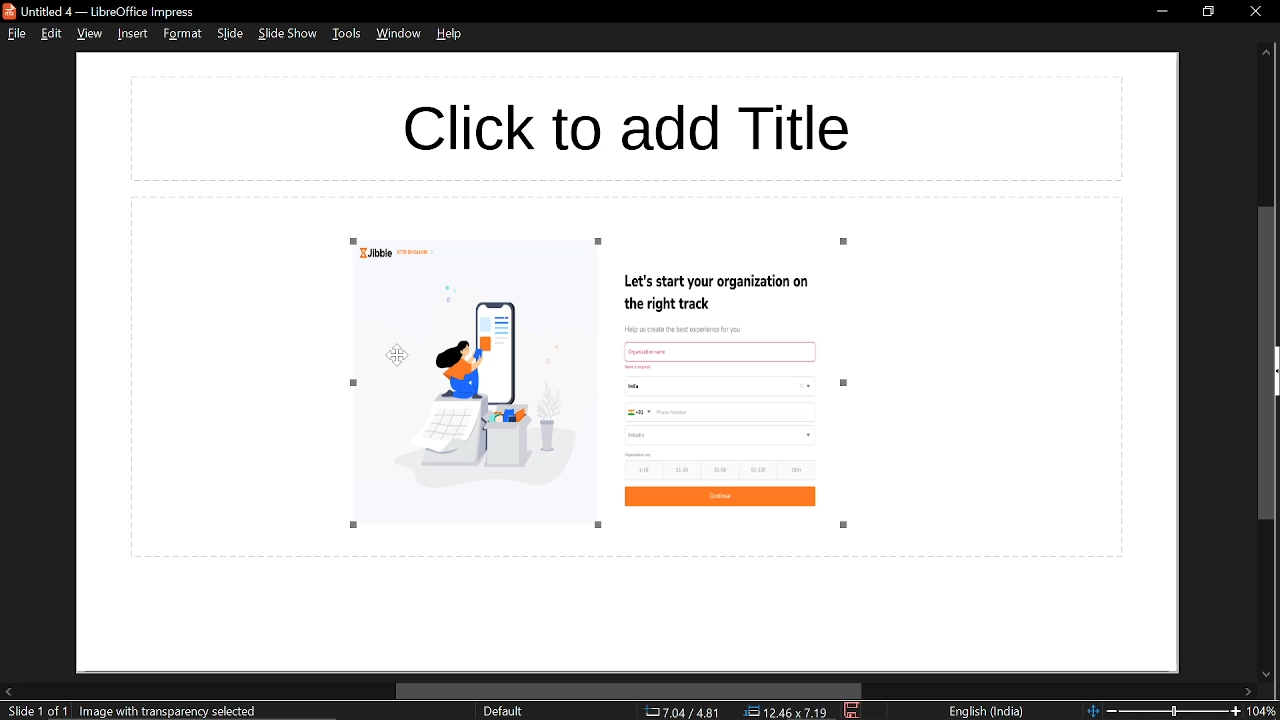  What do you see at coordinates (646, 125) in the screenshot?
I see `space for title` at bounding box center [646, 125].